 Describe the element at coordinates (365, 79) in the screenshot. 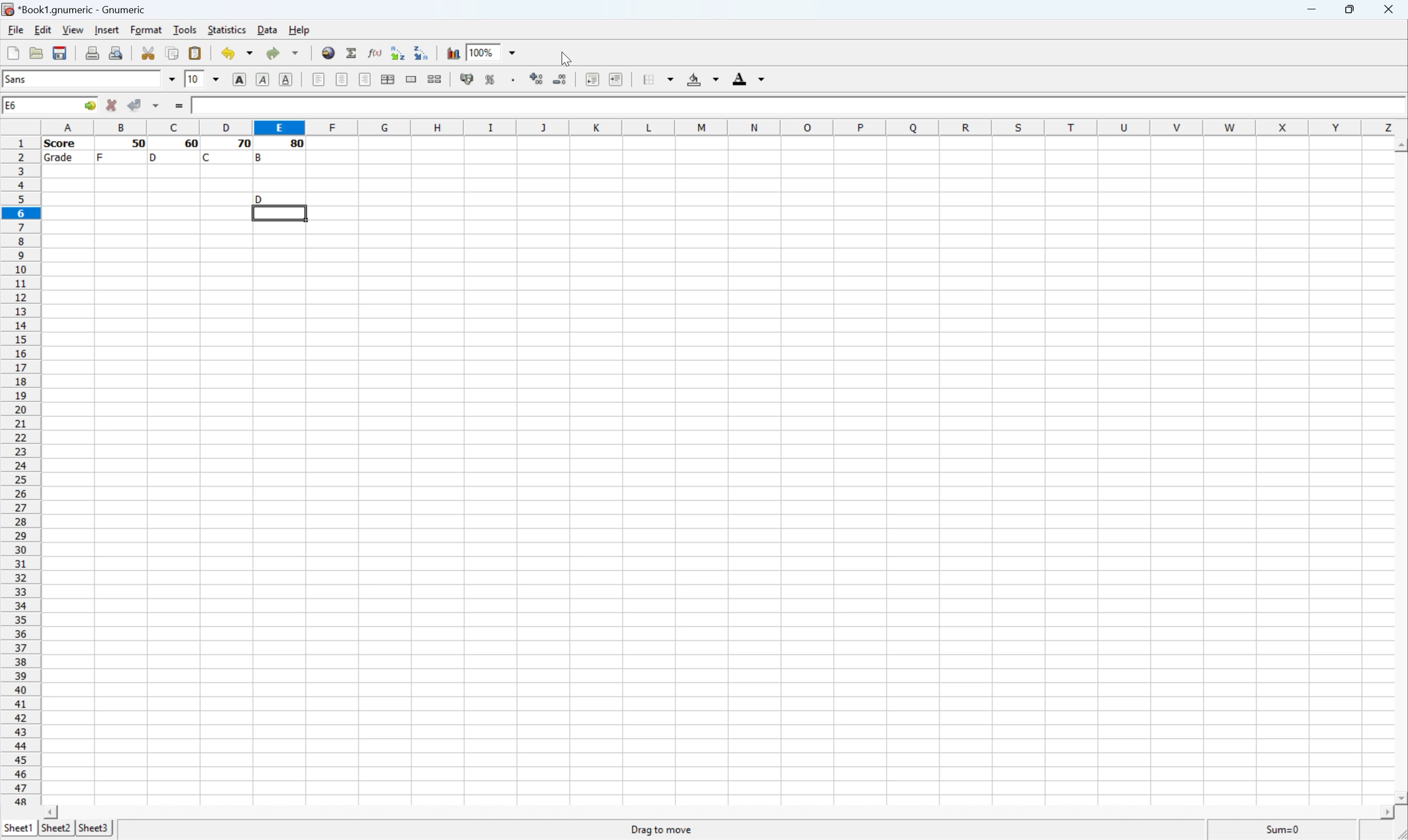

I see `Align Right` at that location.